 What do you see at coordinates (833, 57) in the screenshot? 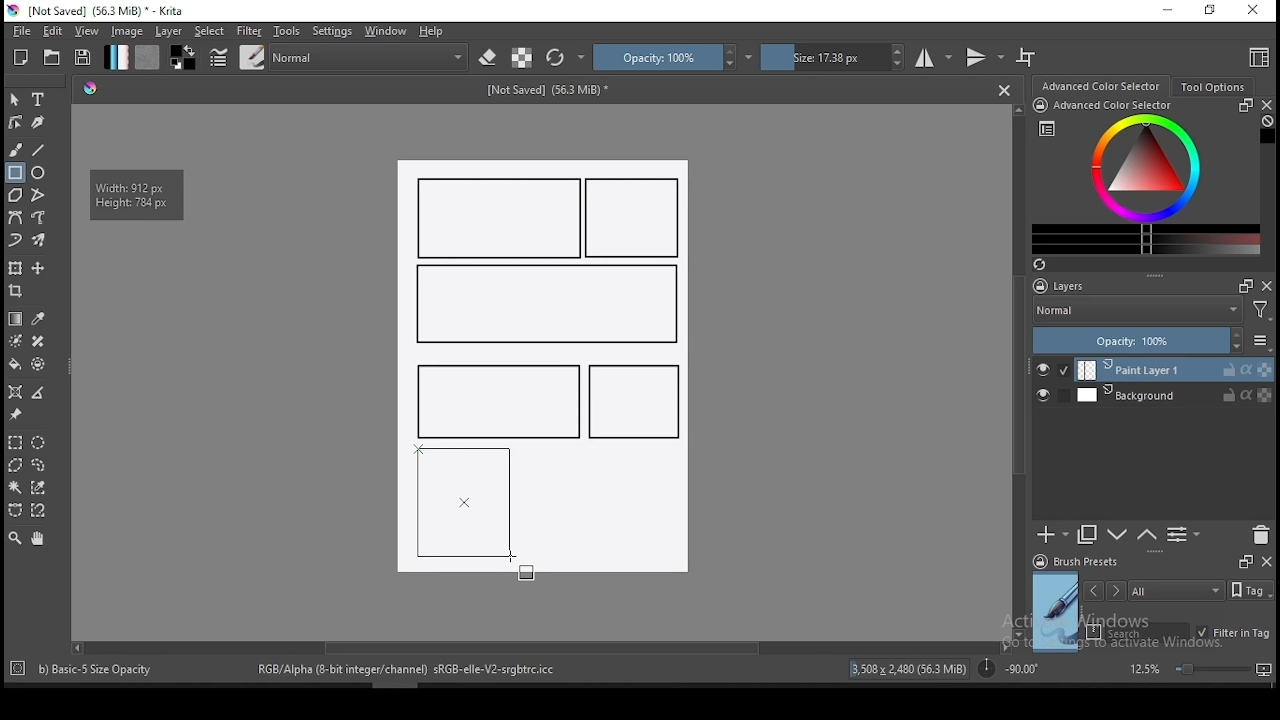
I see `size` at bounding box center [833, 57].